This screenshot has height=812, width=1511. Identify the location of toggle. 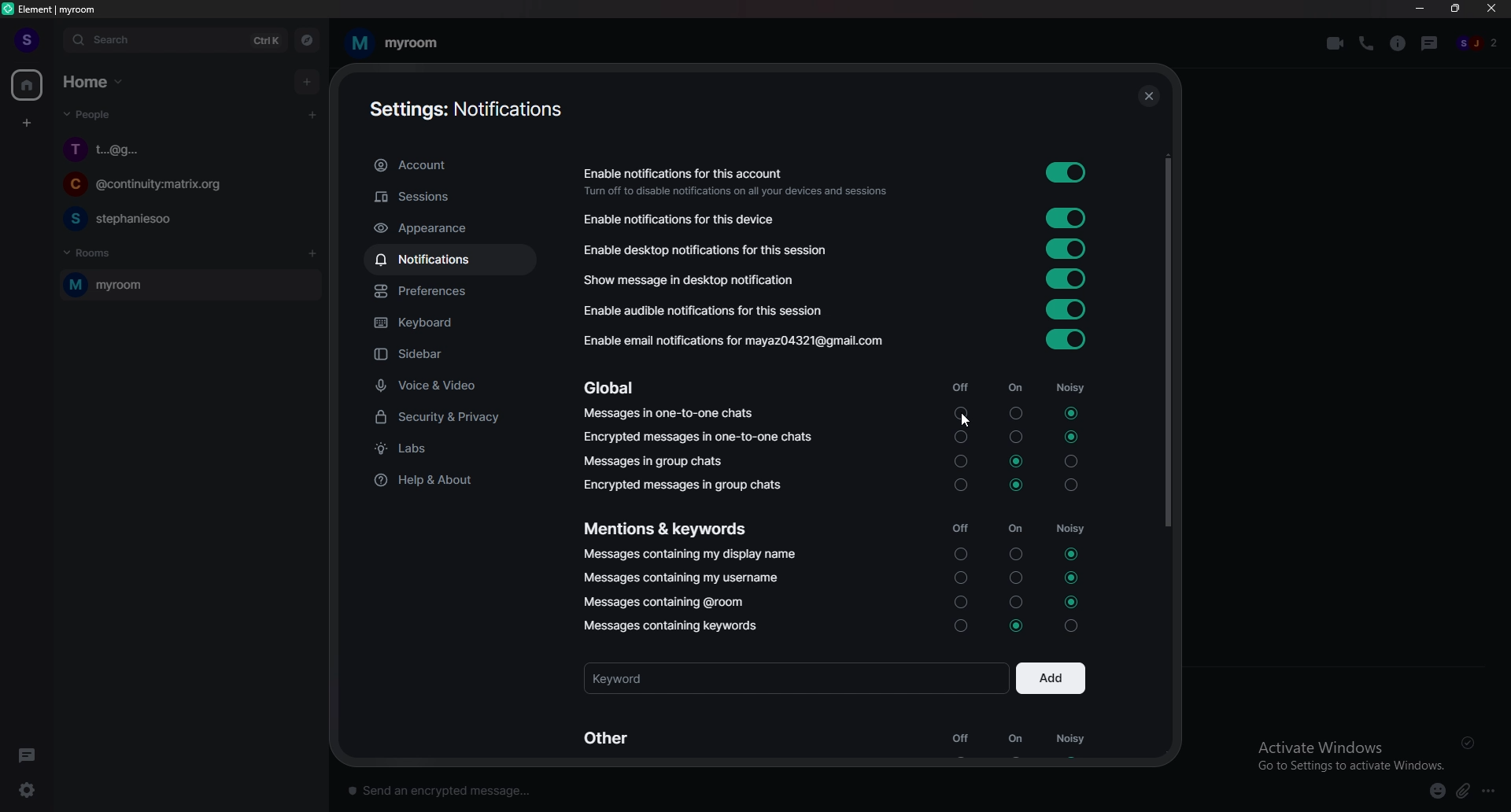
(1067, 172).